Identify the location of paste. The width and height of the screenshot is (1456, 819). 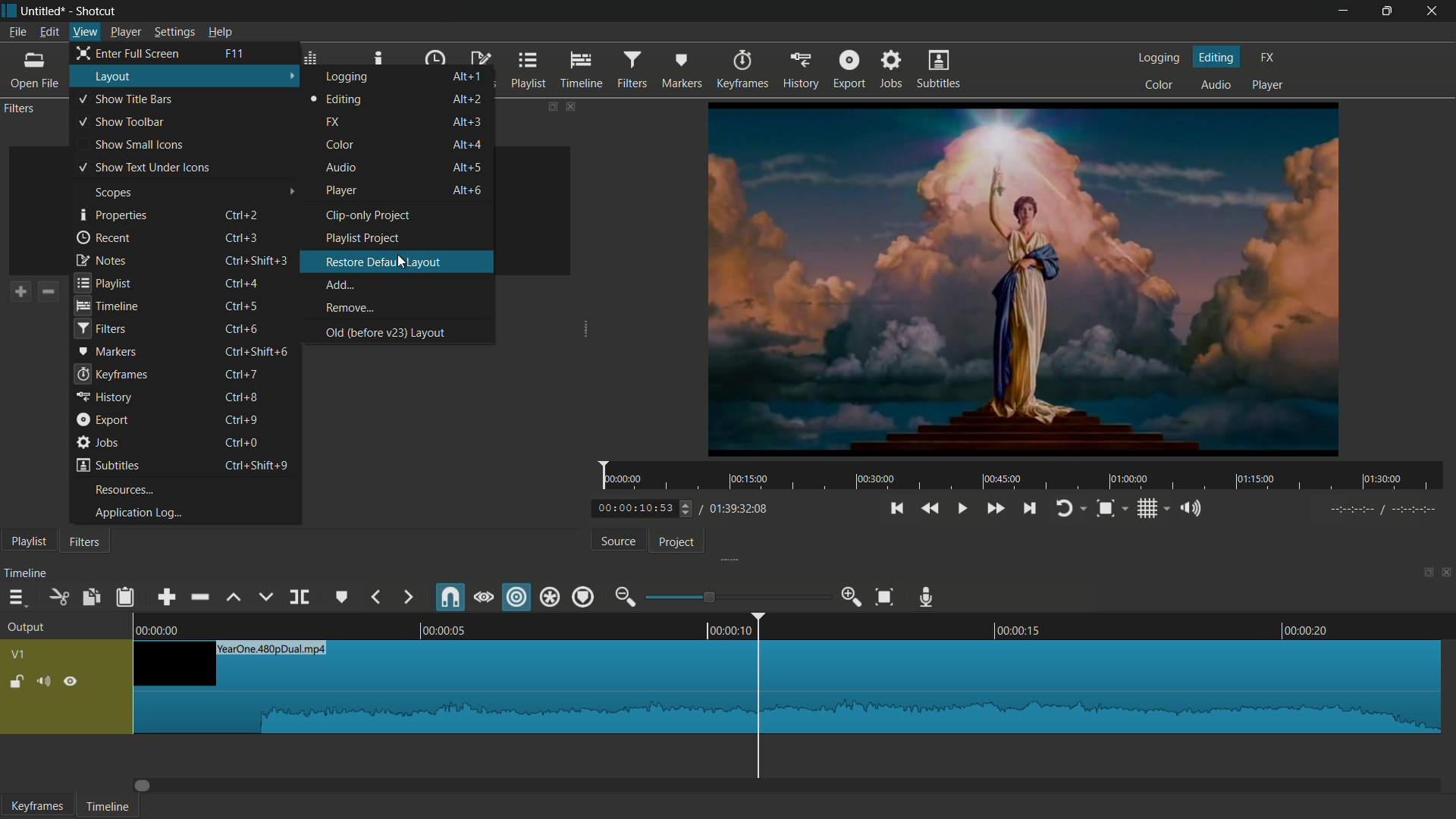
(124, 596).